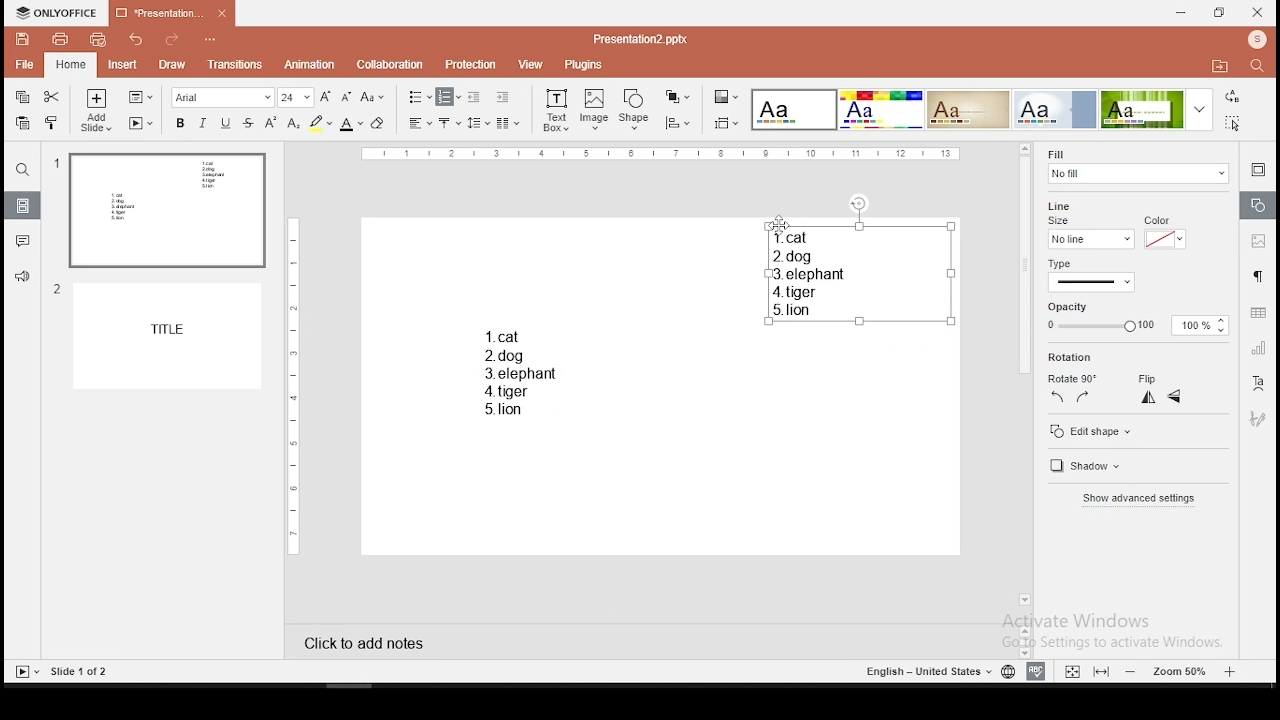 Image resolution: width=1280 pixels, height=720 pixels. I want to click on paragraph settings, so click(1257, 278).